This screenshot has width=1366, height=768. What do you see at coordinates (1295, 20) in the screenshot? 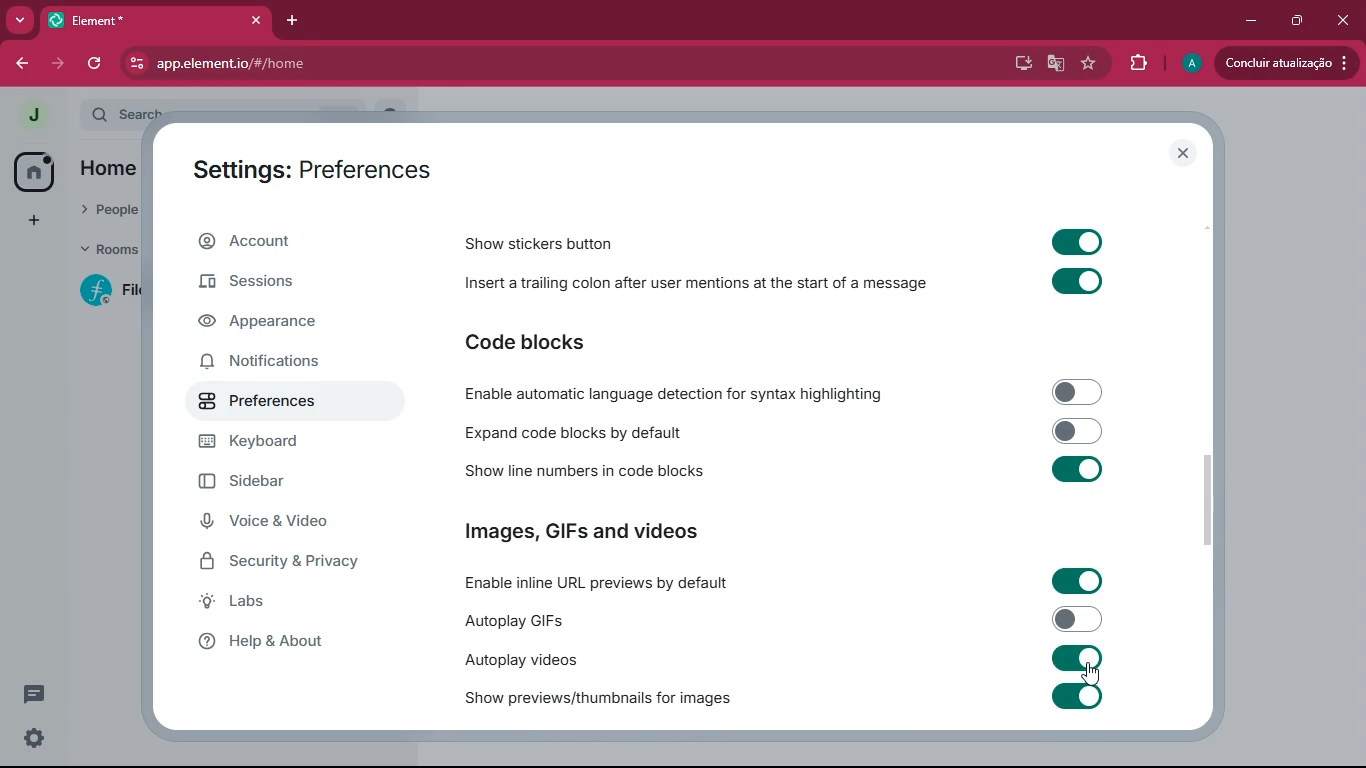
I see `restore down` at bounding box center [1295, 20].